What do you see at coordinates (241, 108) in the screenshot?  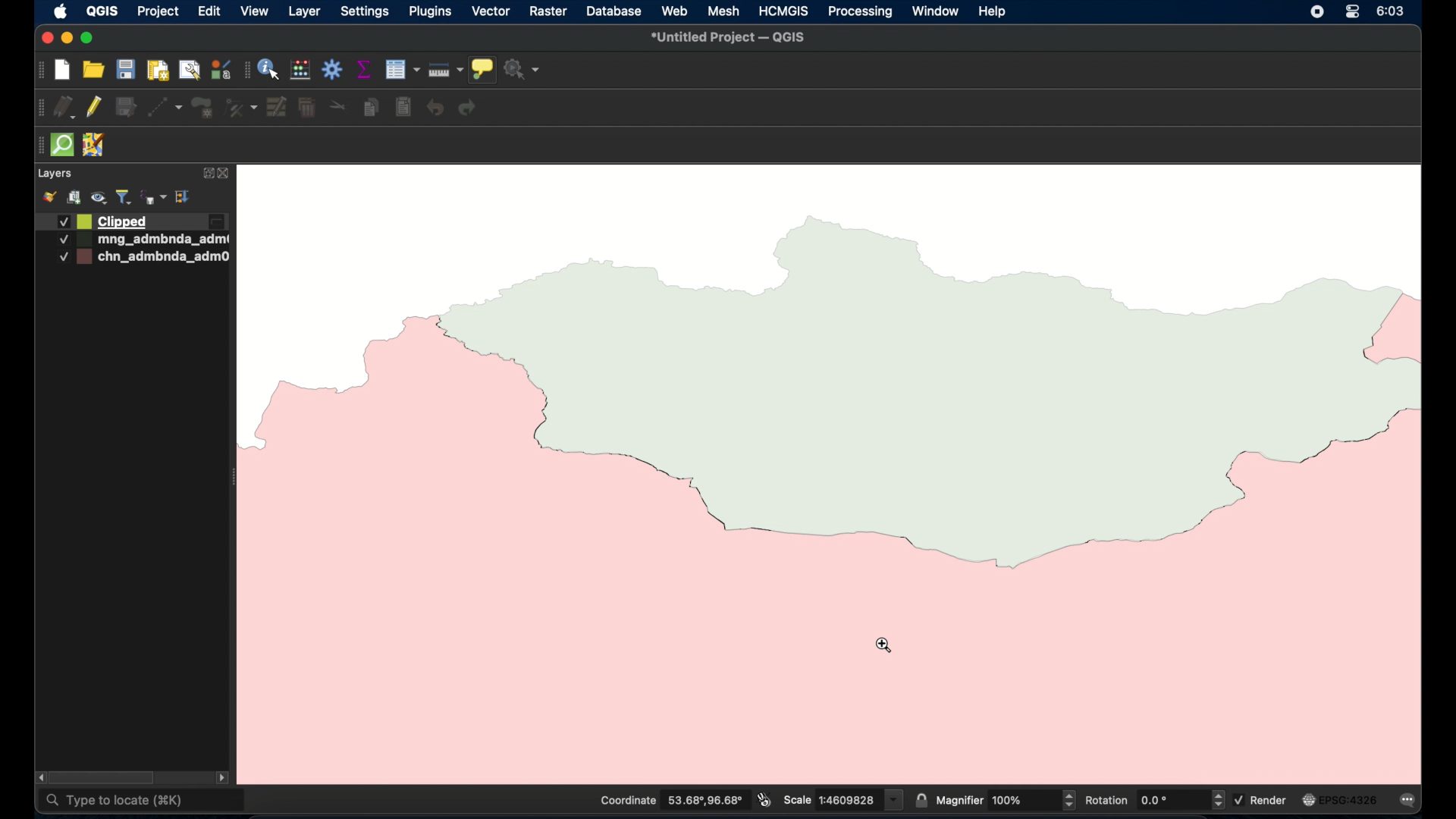 I see `vertex tool` at bounding box center [241, 108].